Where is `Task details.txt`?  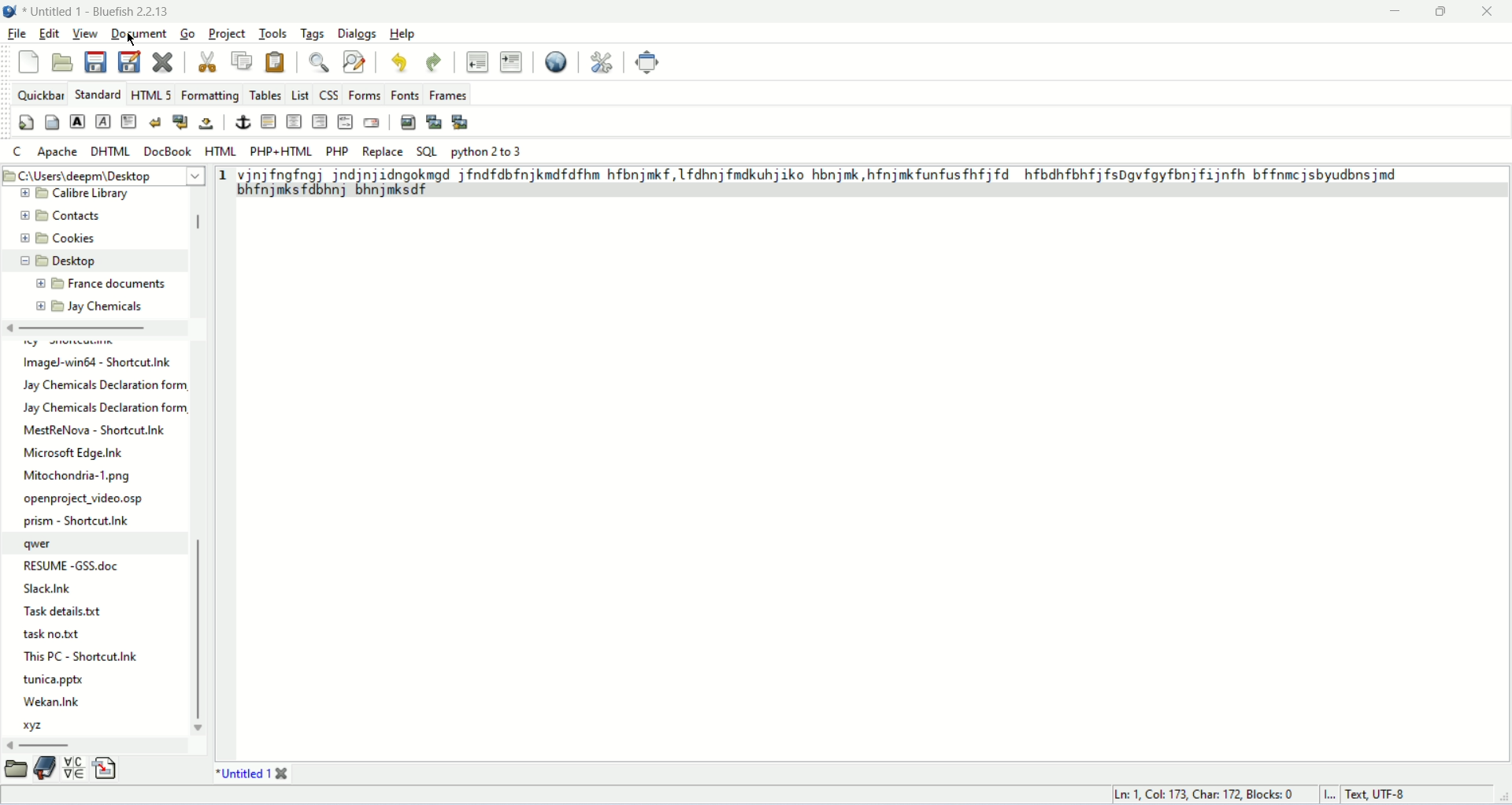
Task details.txt is located at coordinates (61, 610).